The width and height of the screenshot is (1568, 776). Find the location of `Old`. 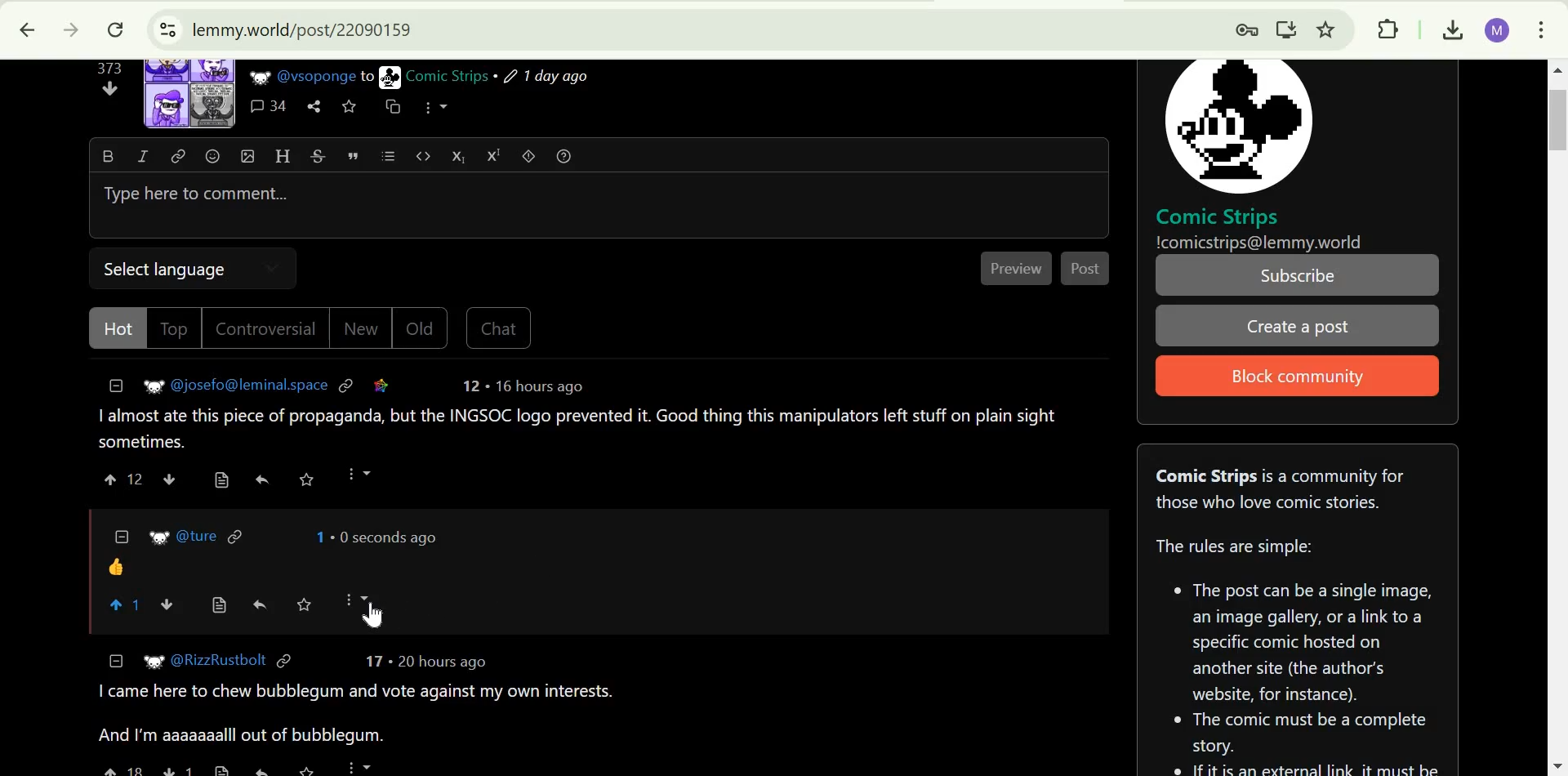

Old is located at coordinates (421, 328).